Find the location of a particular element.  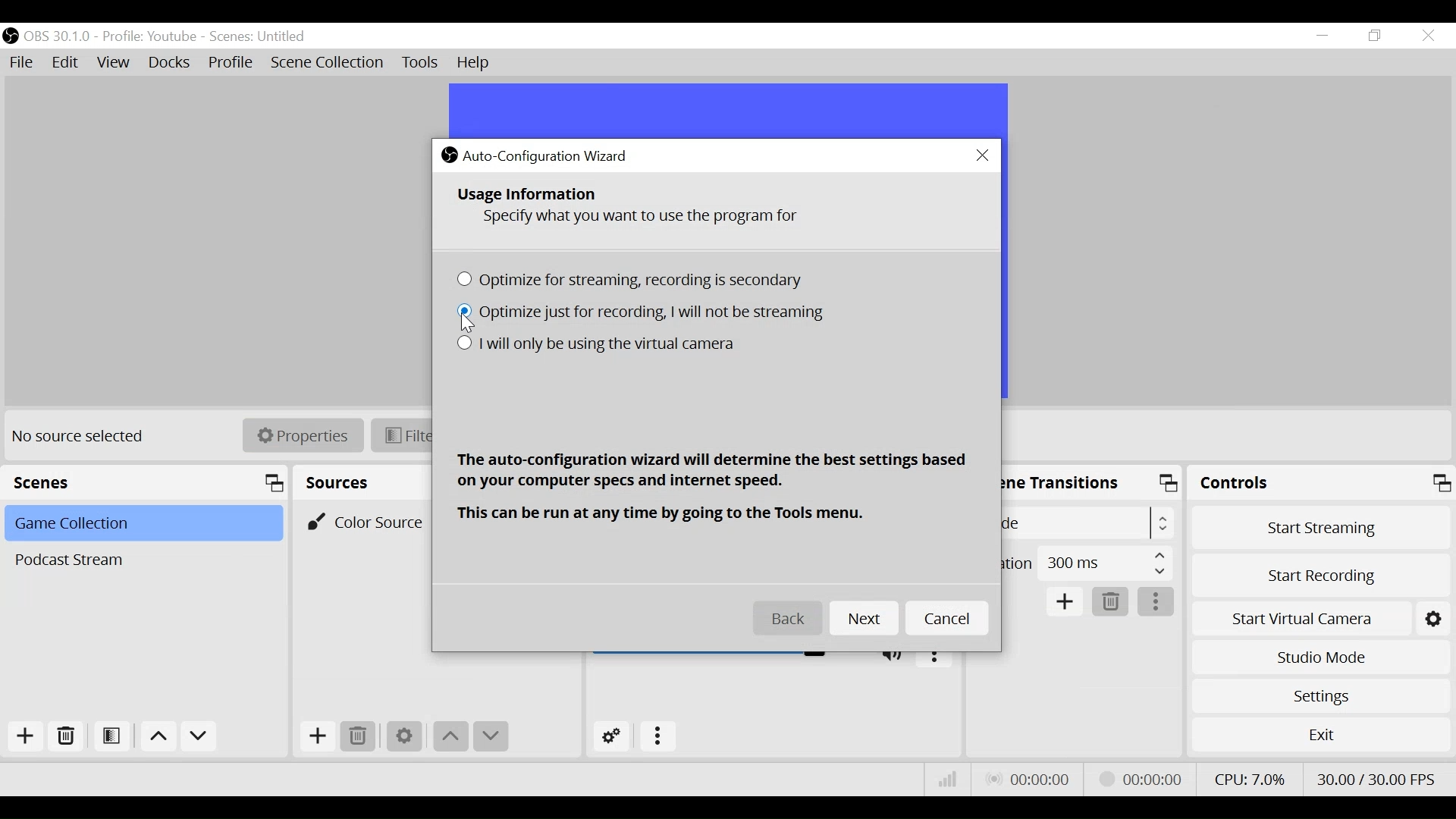

OBS Studio Desktop icon is located at coordinates (449, 154).